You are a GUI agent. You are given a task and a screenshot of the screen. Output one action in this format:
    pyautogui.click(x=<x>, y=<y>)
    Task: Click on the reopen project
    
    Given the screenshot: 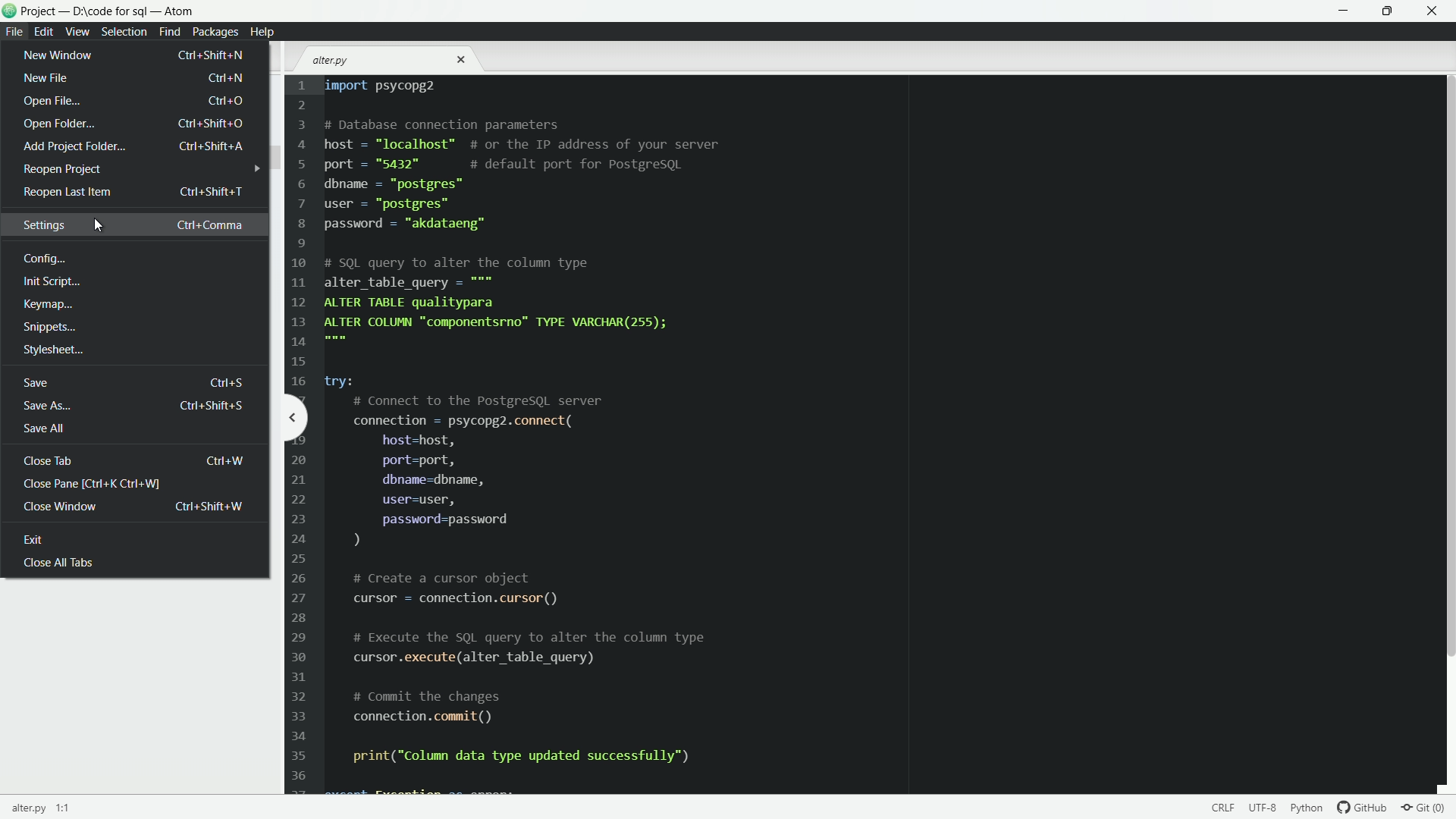 What is the action you would take?
    pyautogui.click(x=60, y=170)
    